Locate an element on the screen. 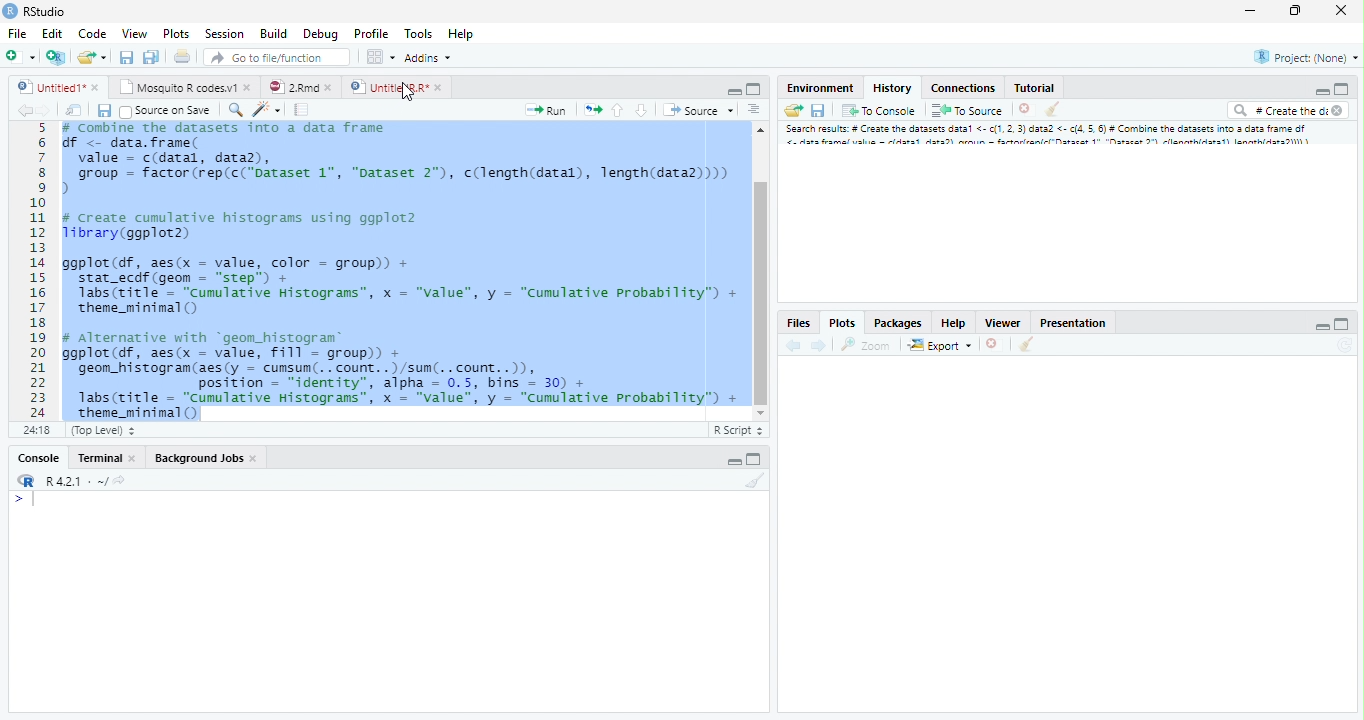 The width and height of the screenshot is (1364, 720). Save is located at coordinates (126, 57).